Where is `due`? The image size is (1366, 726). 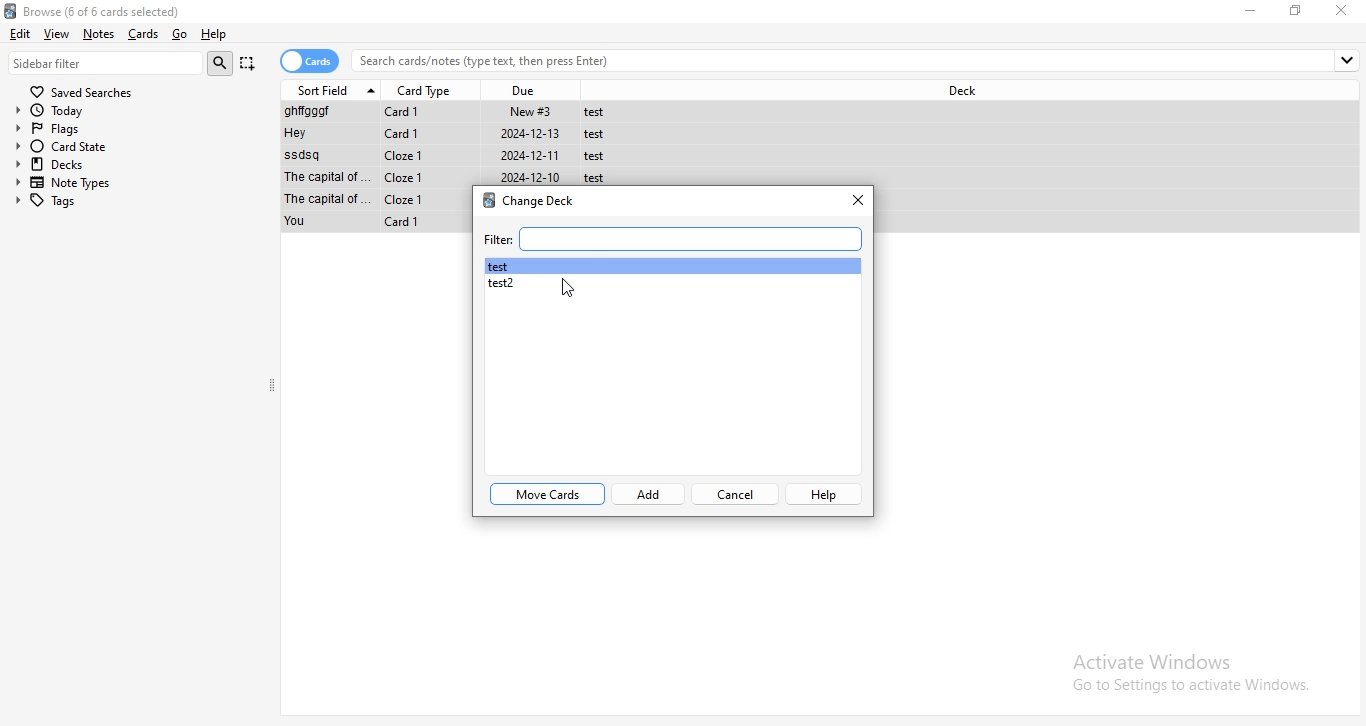
due is located at coordinates (530, 88).